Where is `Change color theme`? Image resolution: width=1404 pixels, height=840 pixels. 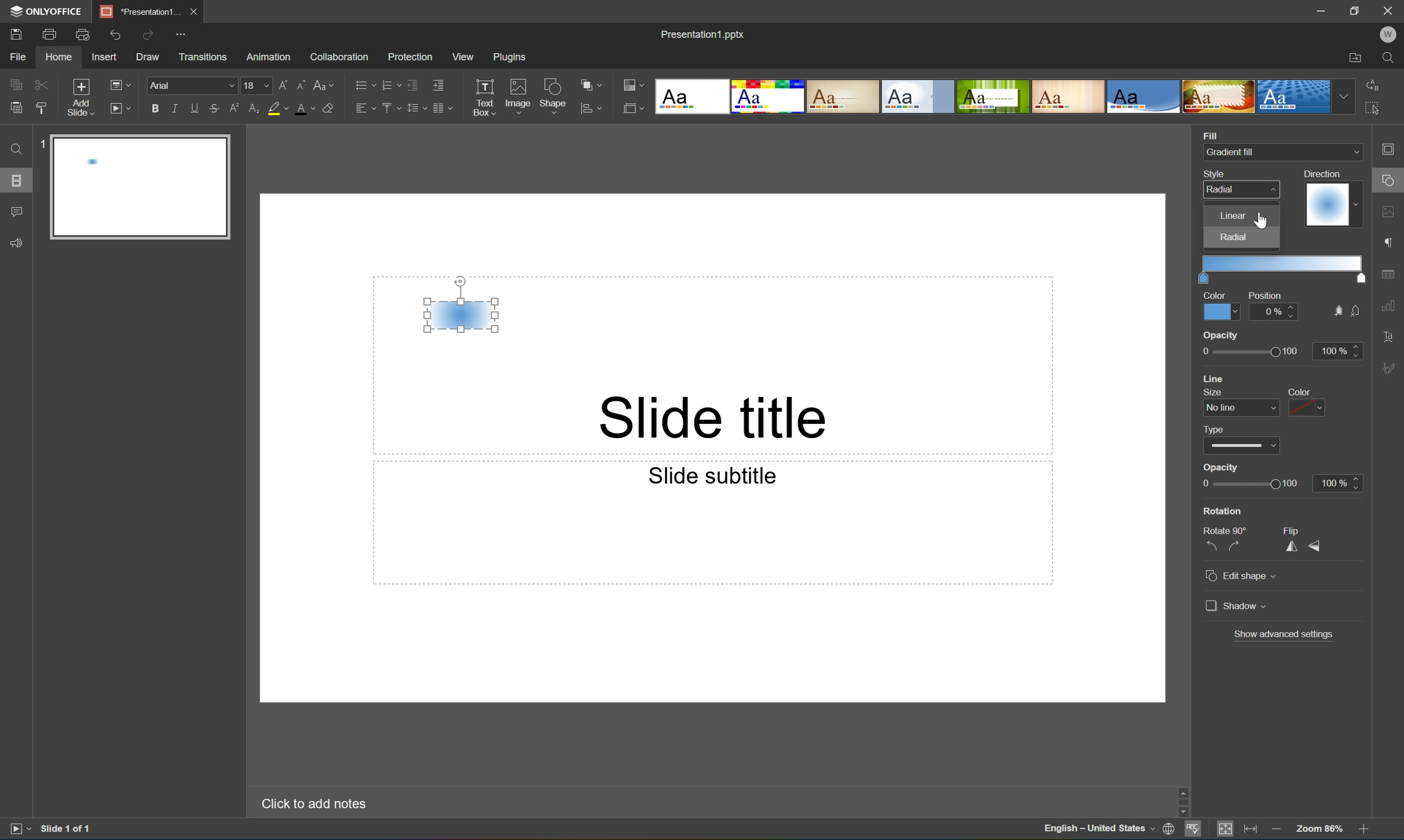
Change color theme is located at coordinates (633, 86).